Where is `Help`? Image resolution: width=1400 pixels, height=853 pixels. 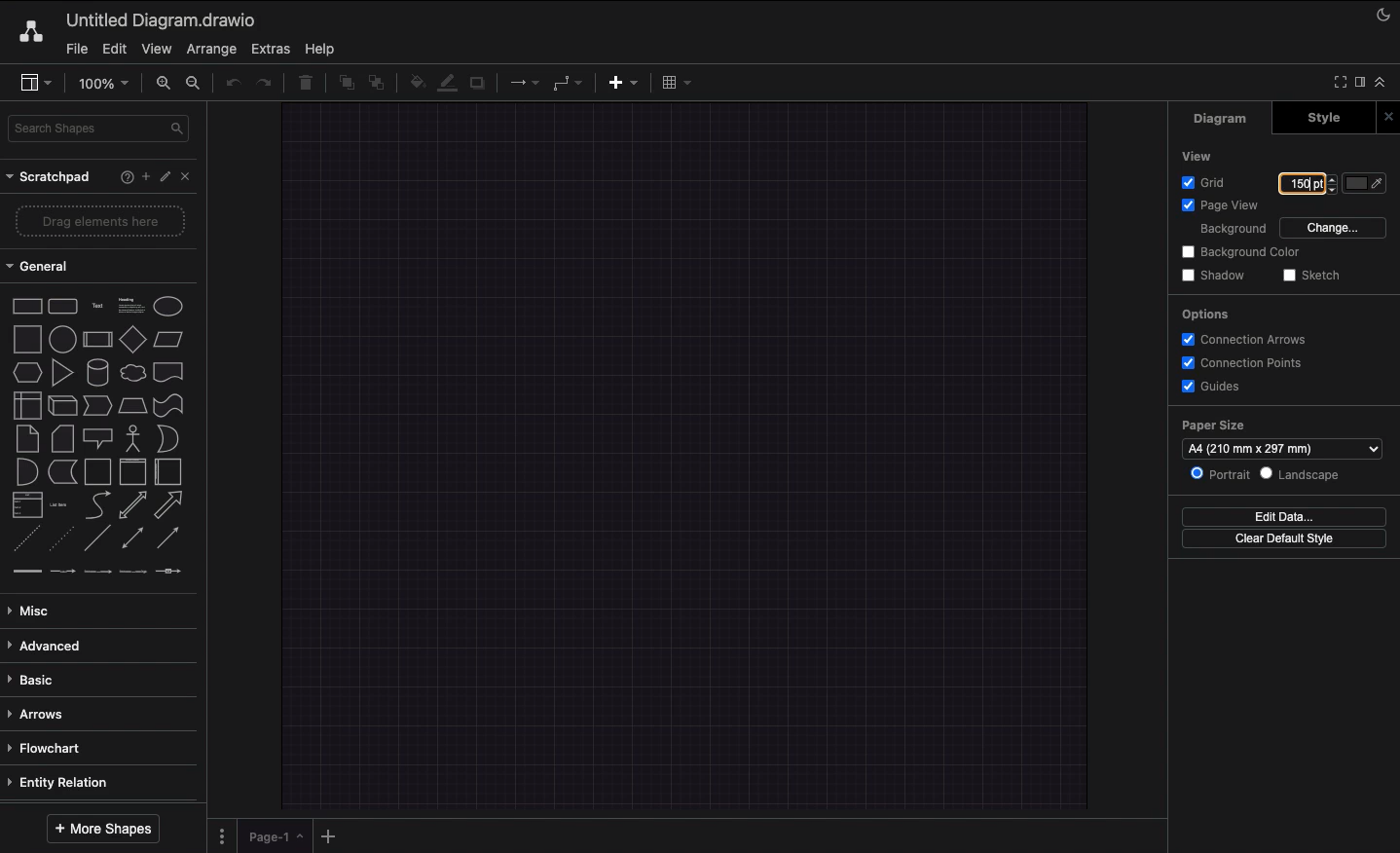
Help is located at coordinates (325, 49).